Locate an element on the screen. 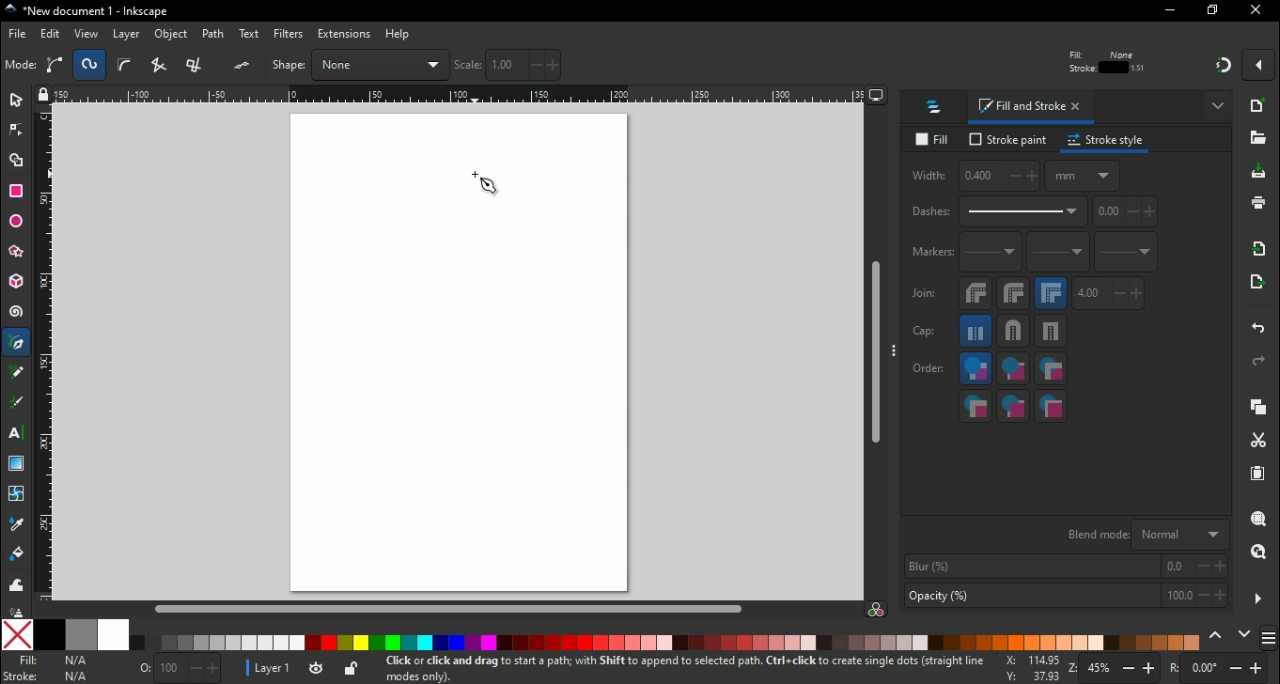 The image size is (1280, 684). join is located at coordinates (925, 298).